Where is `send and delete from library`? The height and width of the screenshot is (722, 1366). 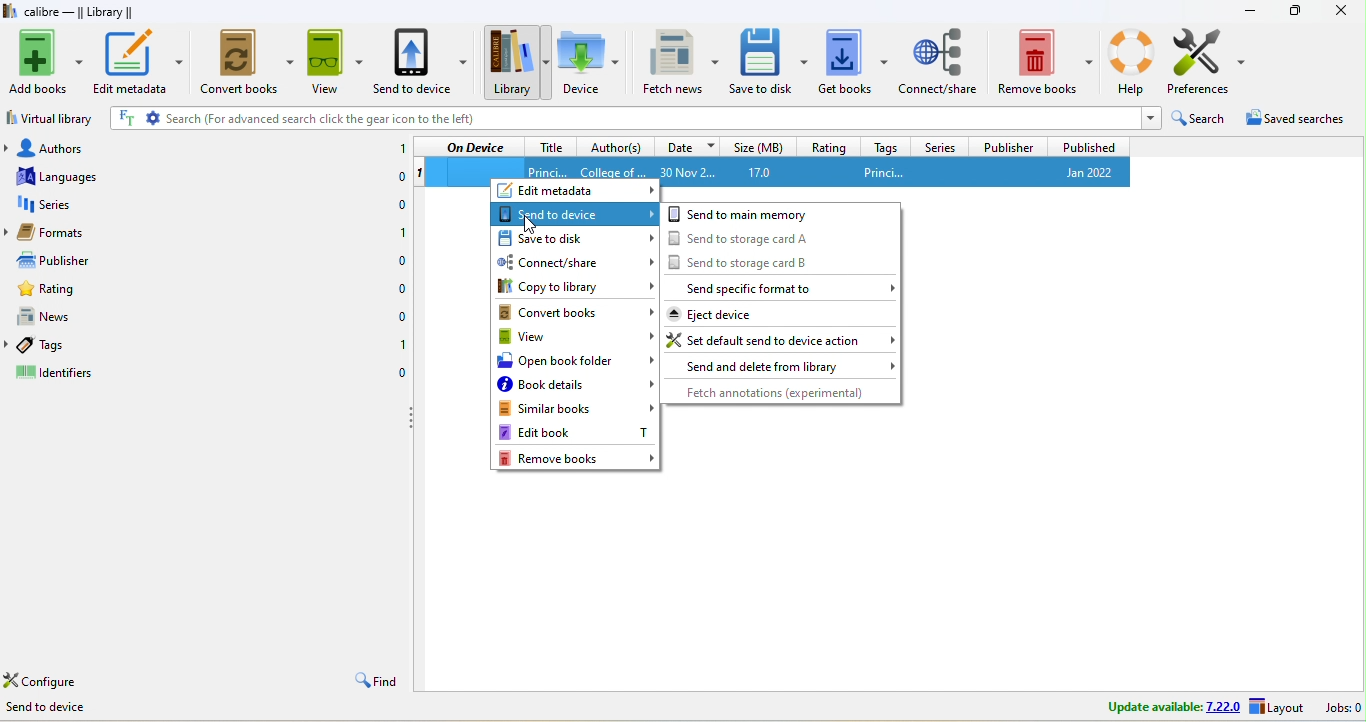
send and delete from library is located at coordinates (780, 367).